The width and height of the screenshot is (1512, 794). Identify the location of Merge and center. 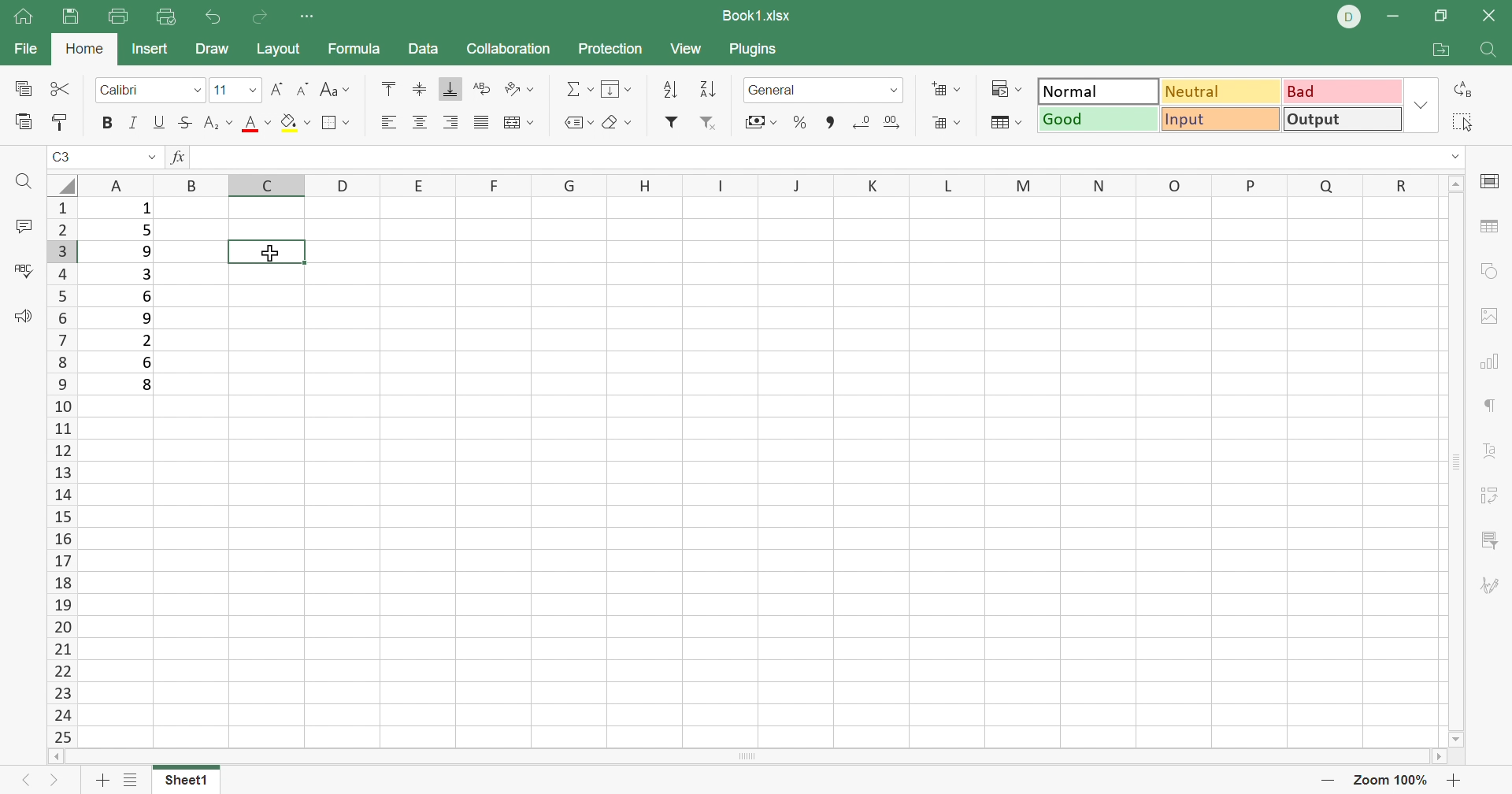
(521, 124).